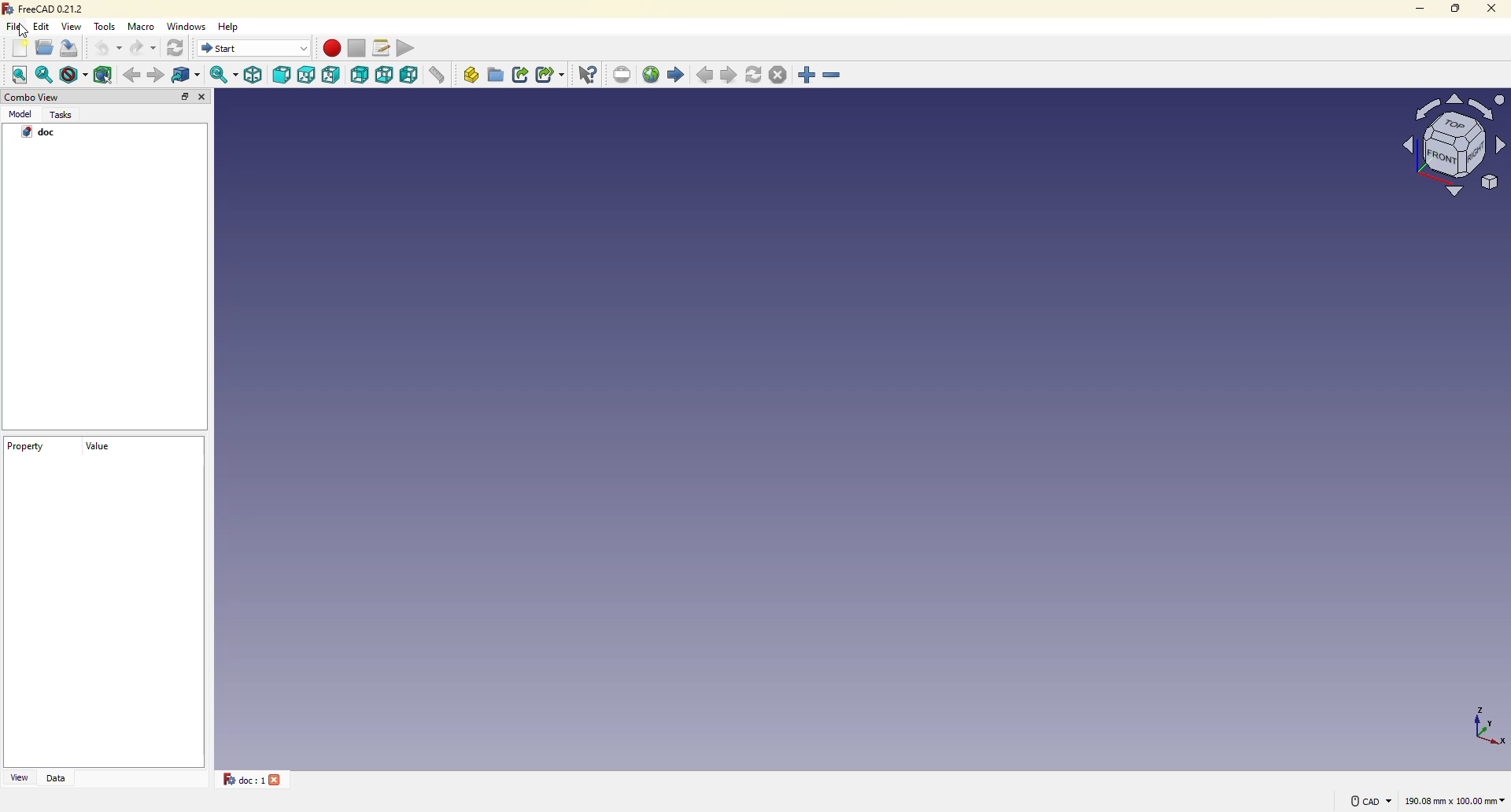 The image size is (1511, 812). I want to click on data, so click(57, 778).